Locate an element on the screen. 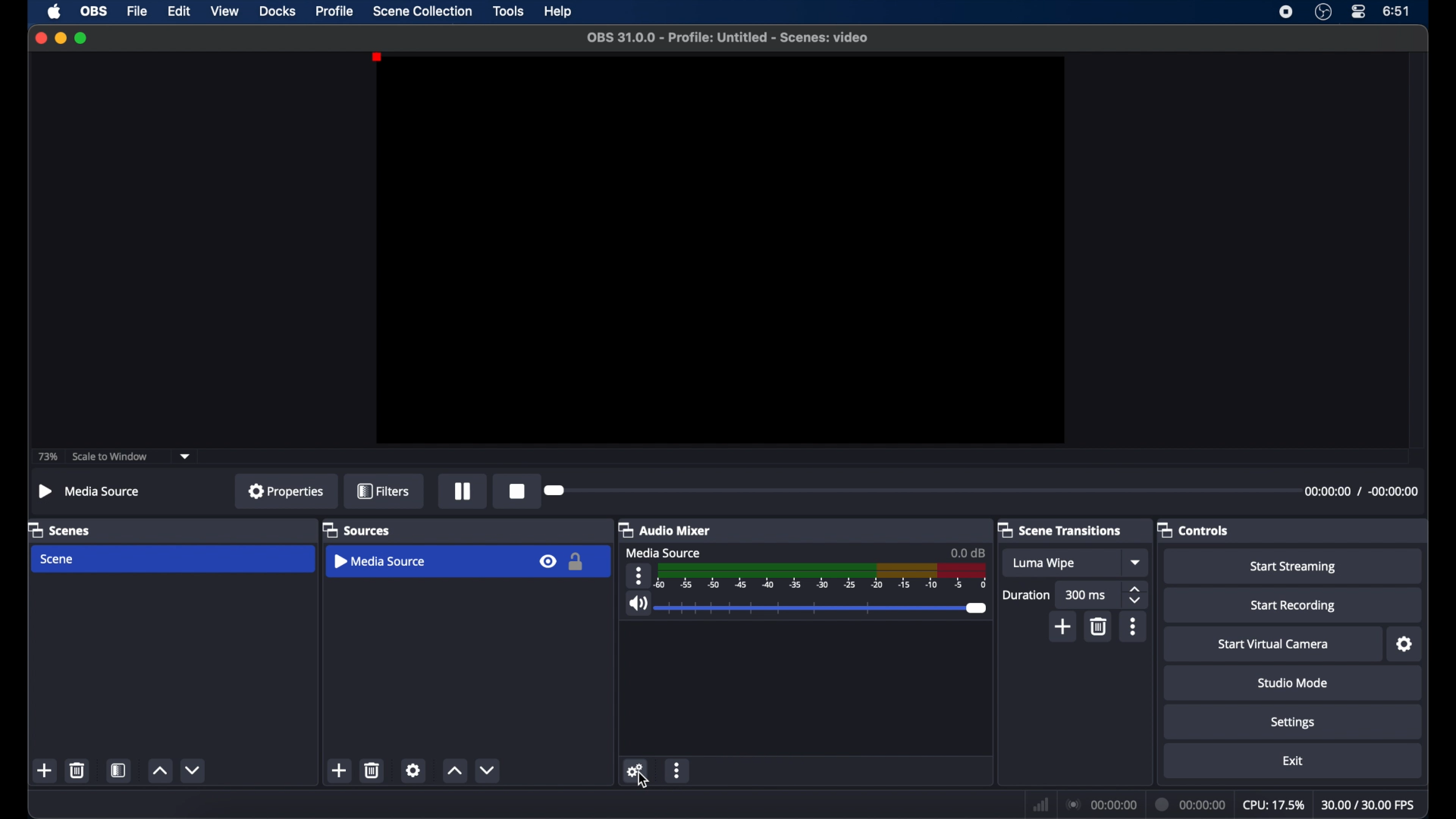 This screenshot has height=819, width=1456. 0.0 is located at coordinates (968, 552).